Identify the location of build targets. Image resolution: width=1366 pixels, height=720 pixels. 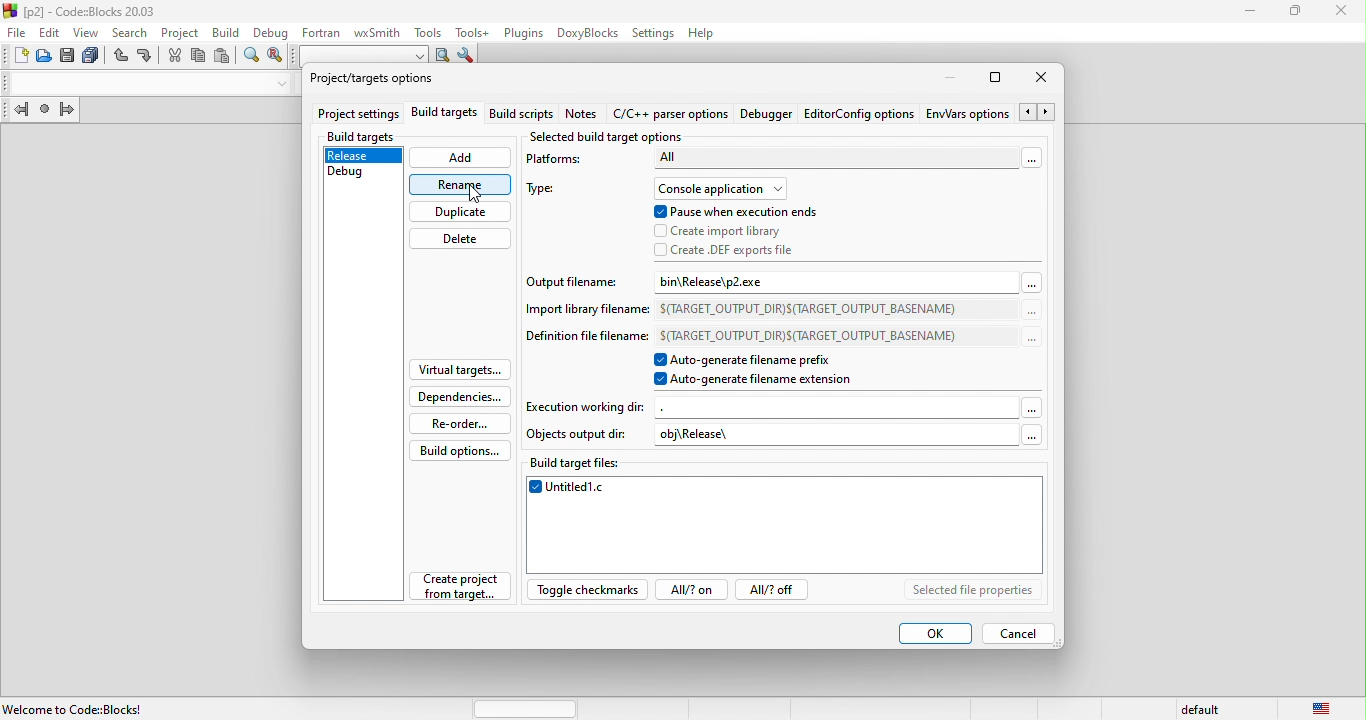
(444, 114).